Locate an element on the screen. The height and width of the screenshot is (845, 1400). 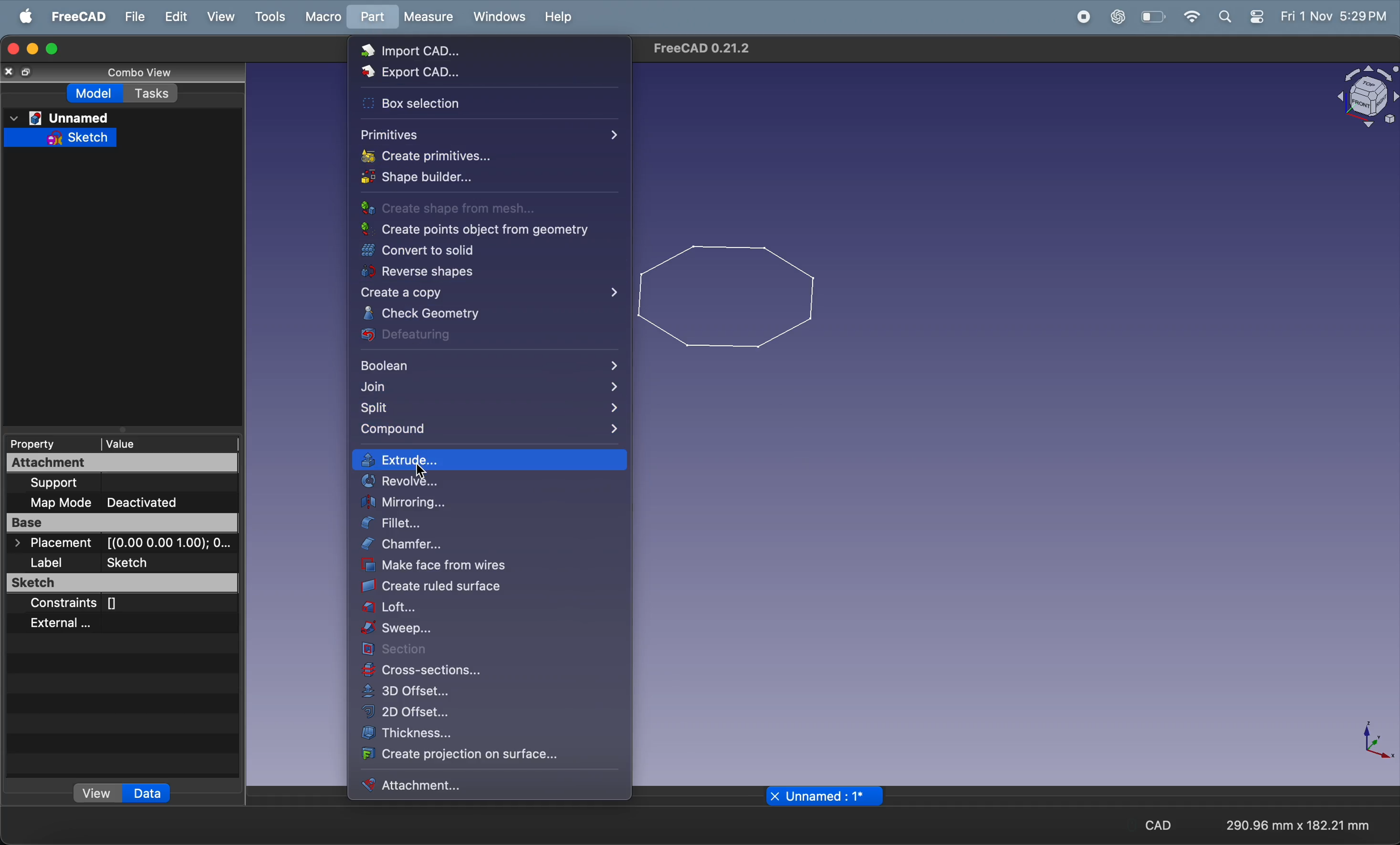
battery is located at coordinates (1152, 18).